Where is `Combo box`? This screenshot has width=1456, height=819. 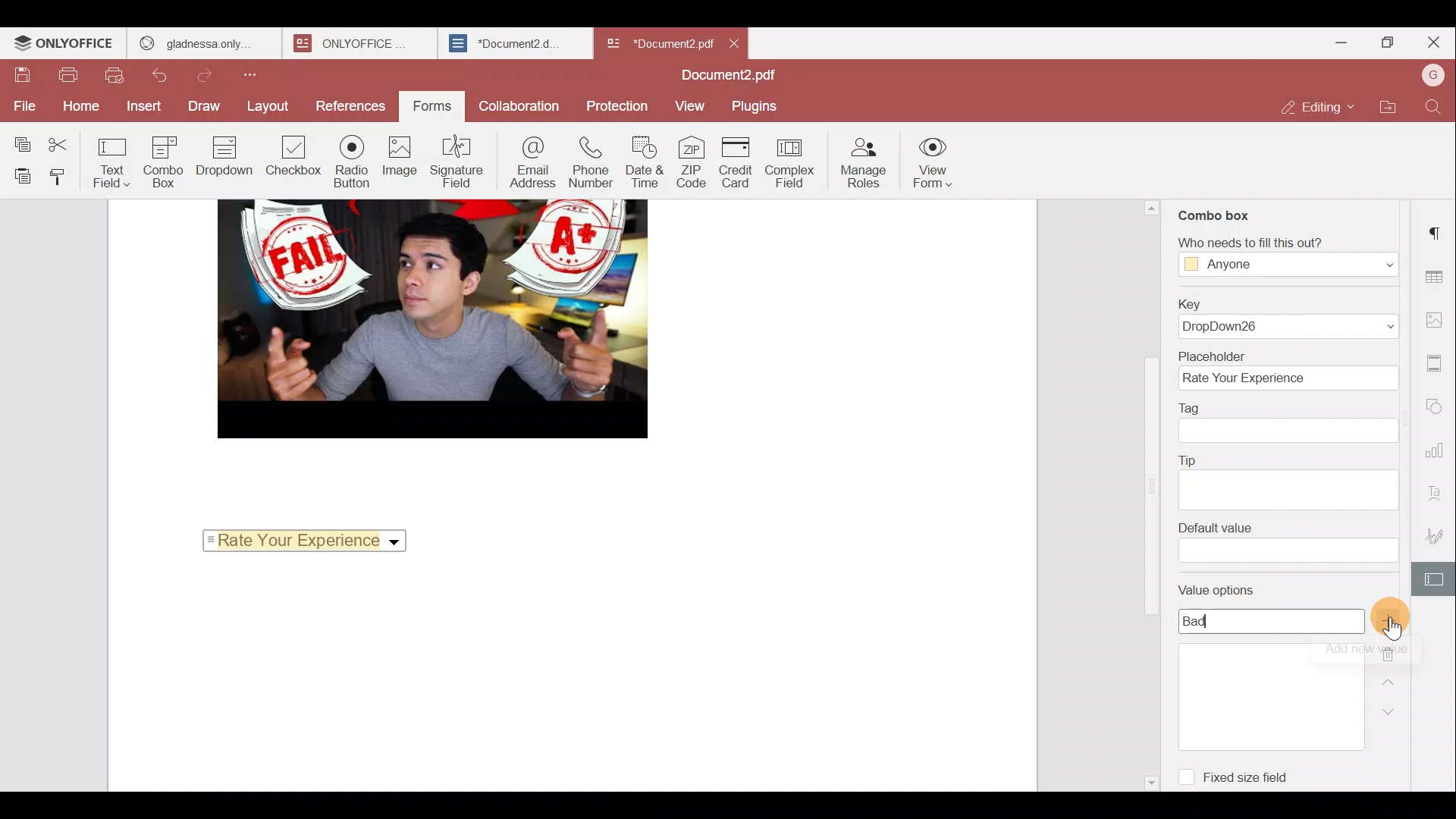
Combo box is located at coordinates (1216, 212).